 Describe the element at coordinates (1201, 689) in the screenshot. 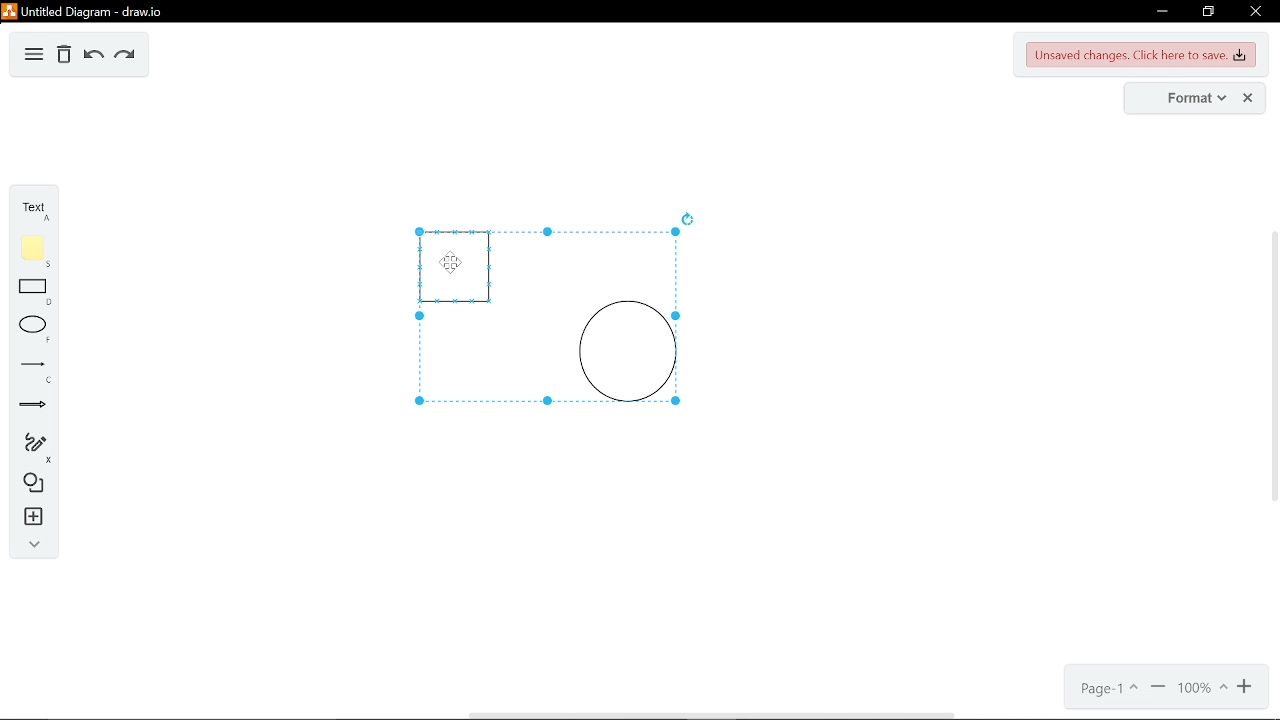

I see `current zoom` at that location.